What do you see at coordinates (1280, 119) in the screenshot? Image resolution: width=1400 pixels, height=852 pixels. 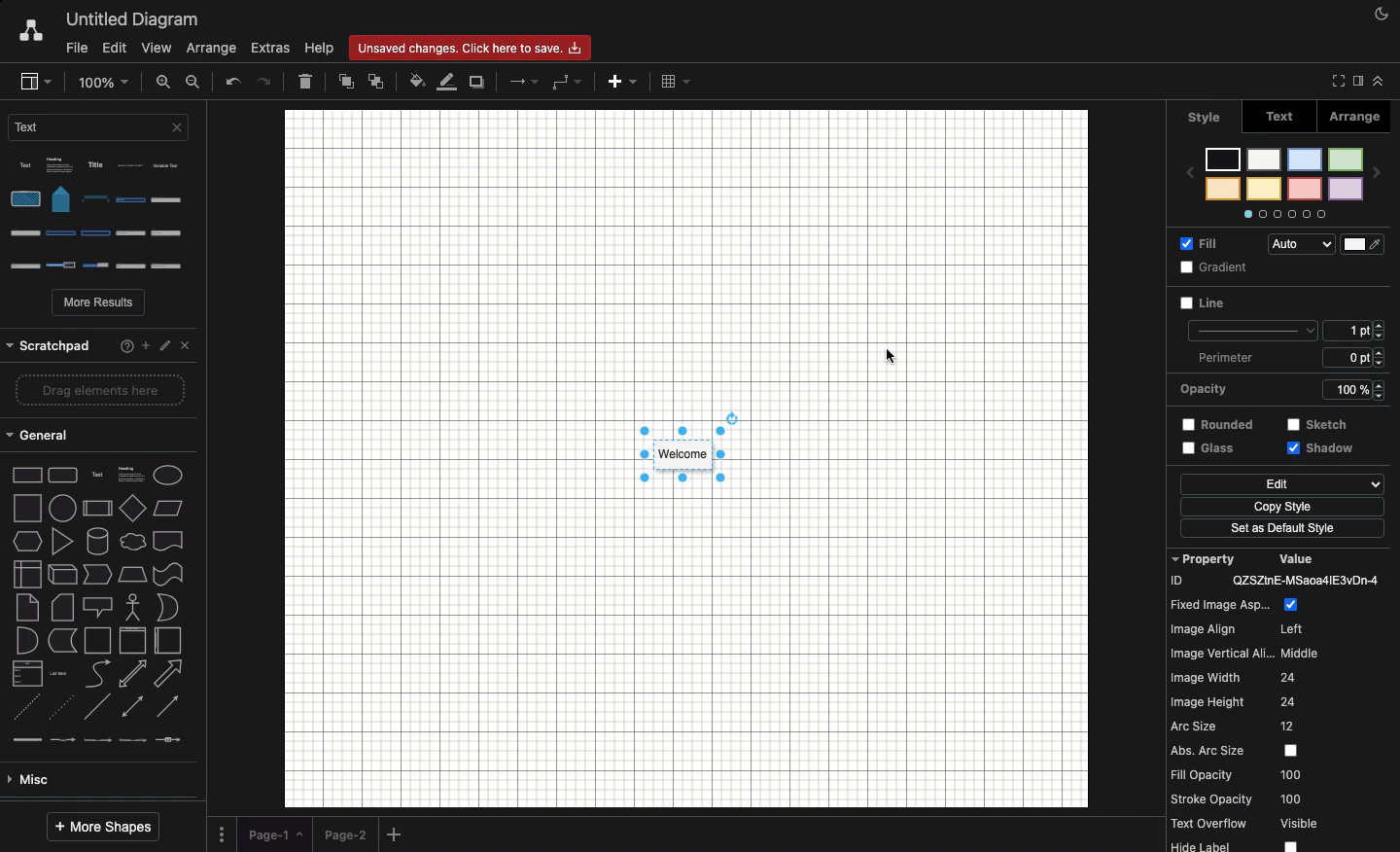 I see `Text` at bounding box center [1280, 119].